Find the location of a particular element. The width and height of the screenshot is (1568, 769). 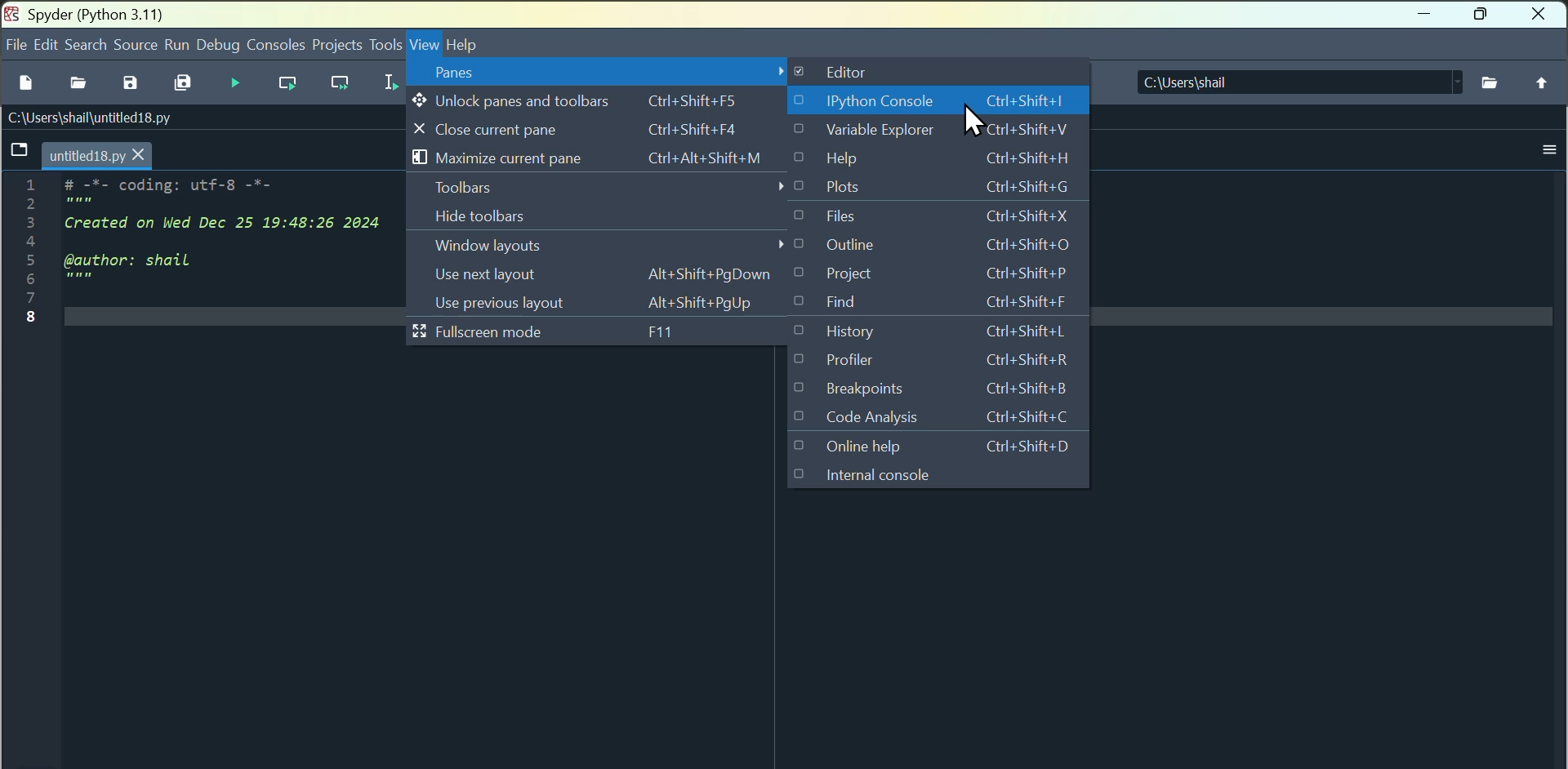

options is located at coordinates (1543, 150).